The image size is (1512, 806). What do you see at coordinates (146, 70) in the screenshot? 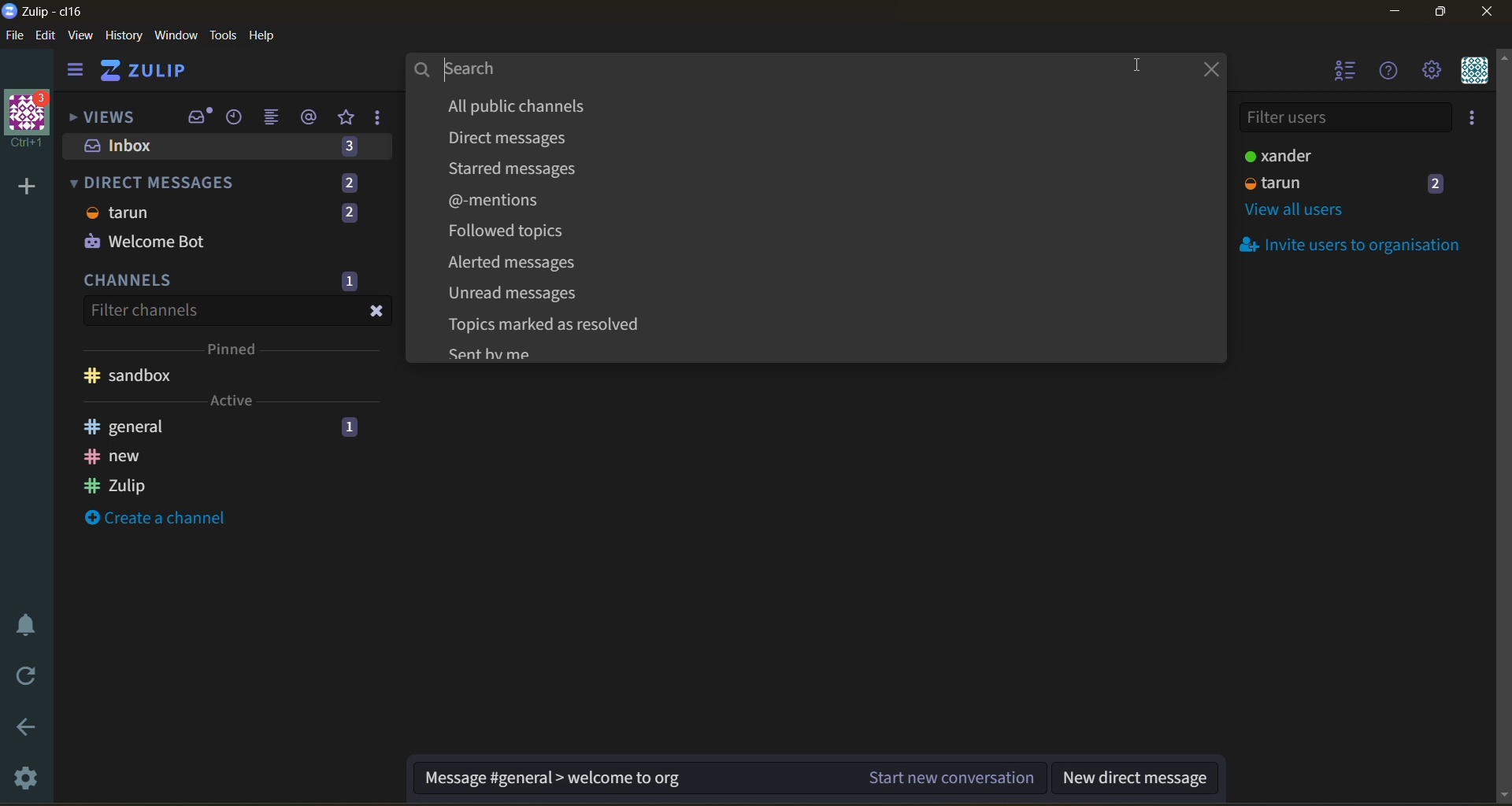
I see `ZULIP` at bounding box center [146, 70].